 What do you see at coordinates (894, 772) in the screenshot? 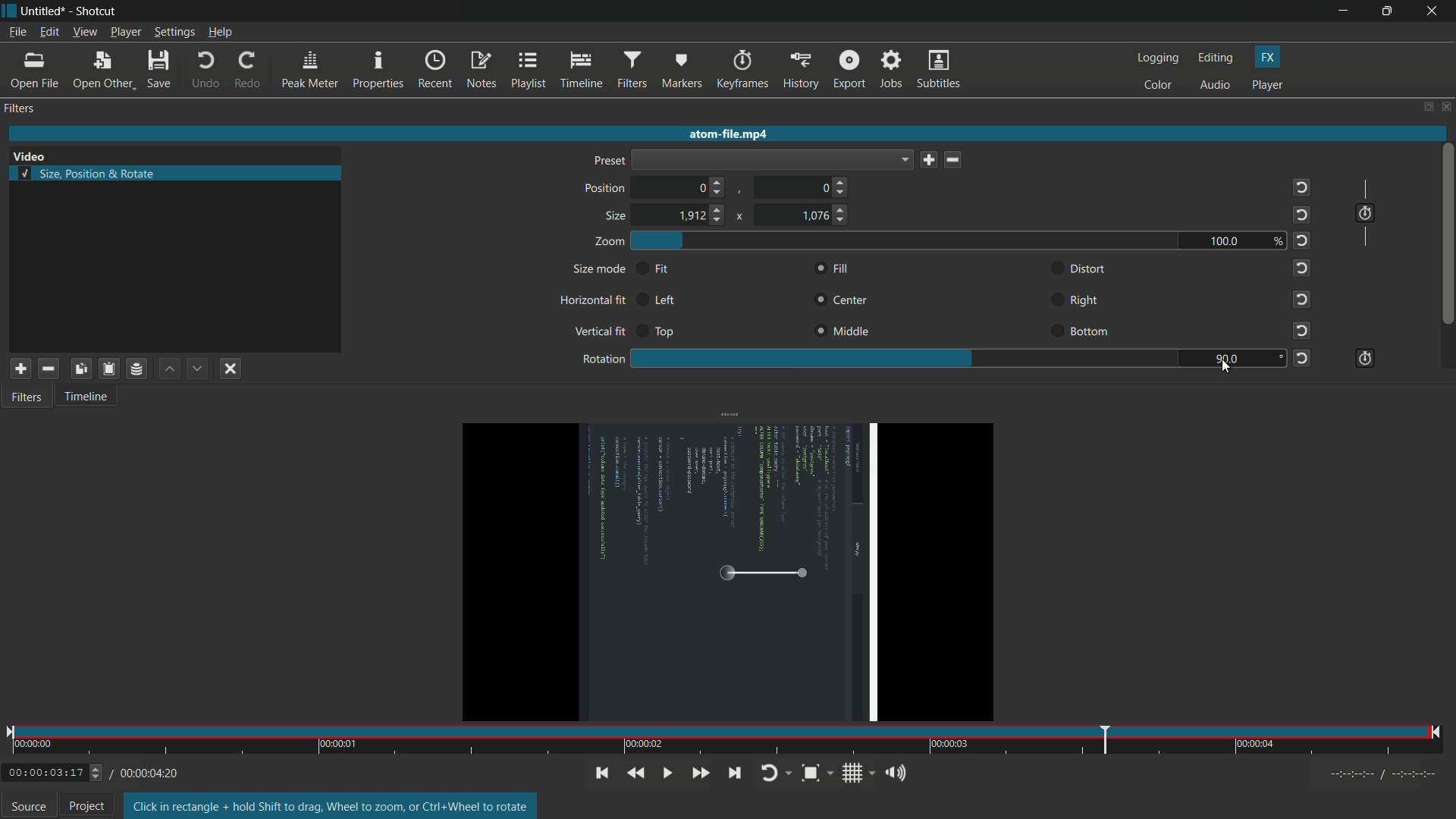
I see `show volume control` at bounding box center [894, 772].